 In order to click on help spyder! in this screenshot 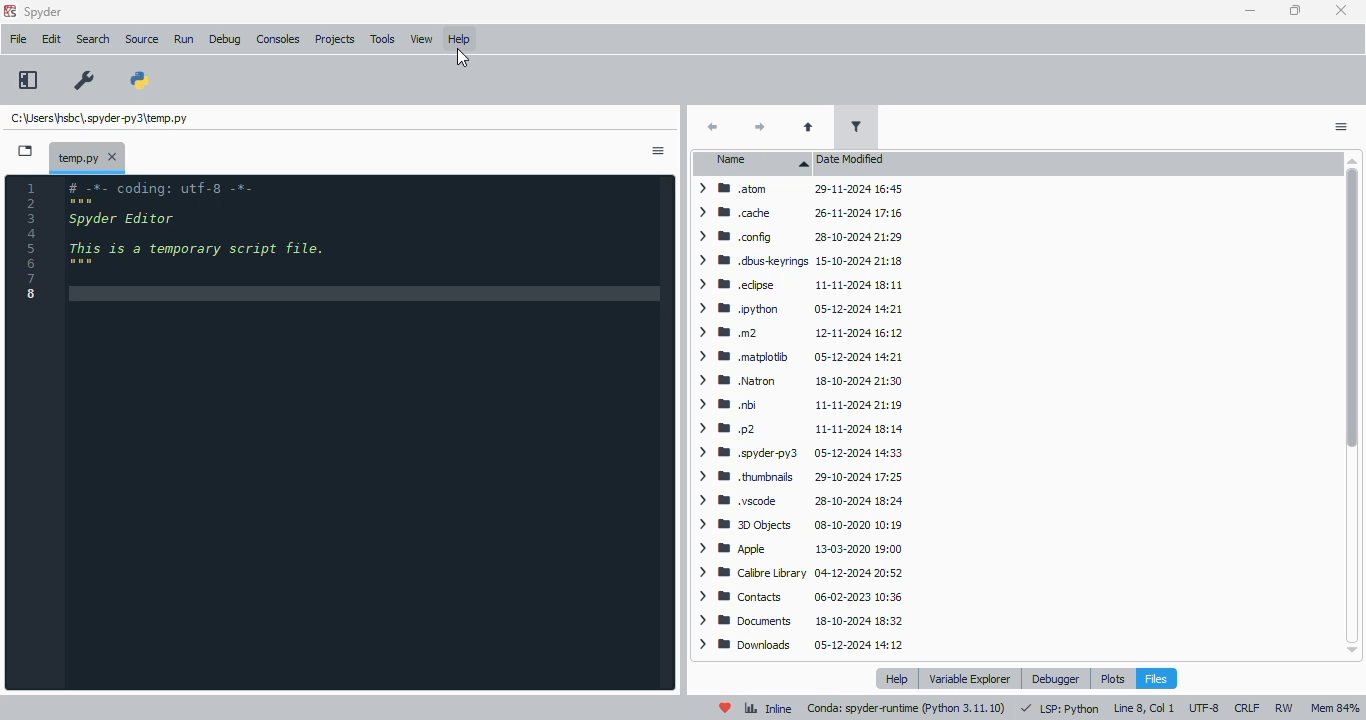, I will do `click(725, 707)`.